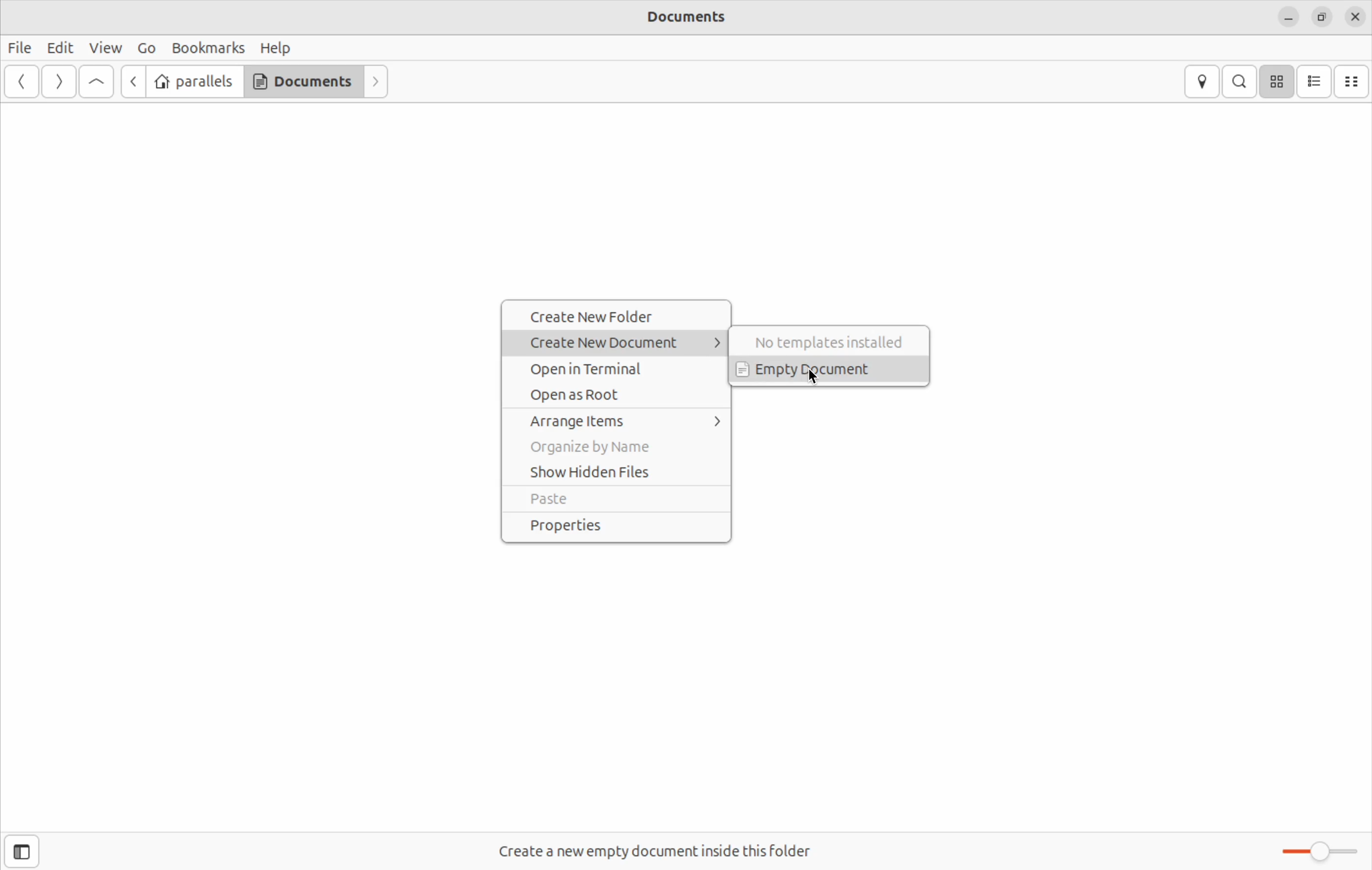  What do you see at coordinates (620, 393) in the screenshot?
I see `open as root` at bounding box center [620, 393].